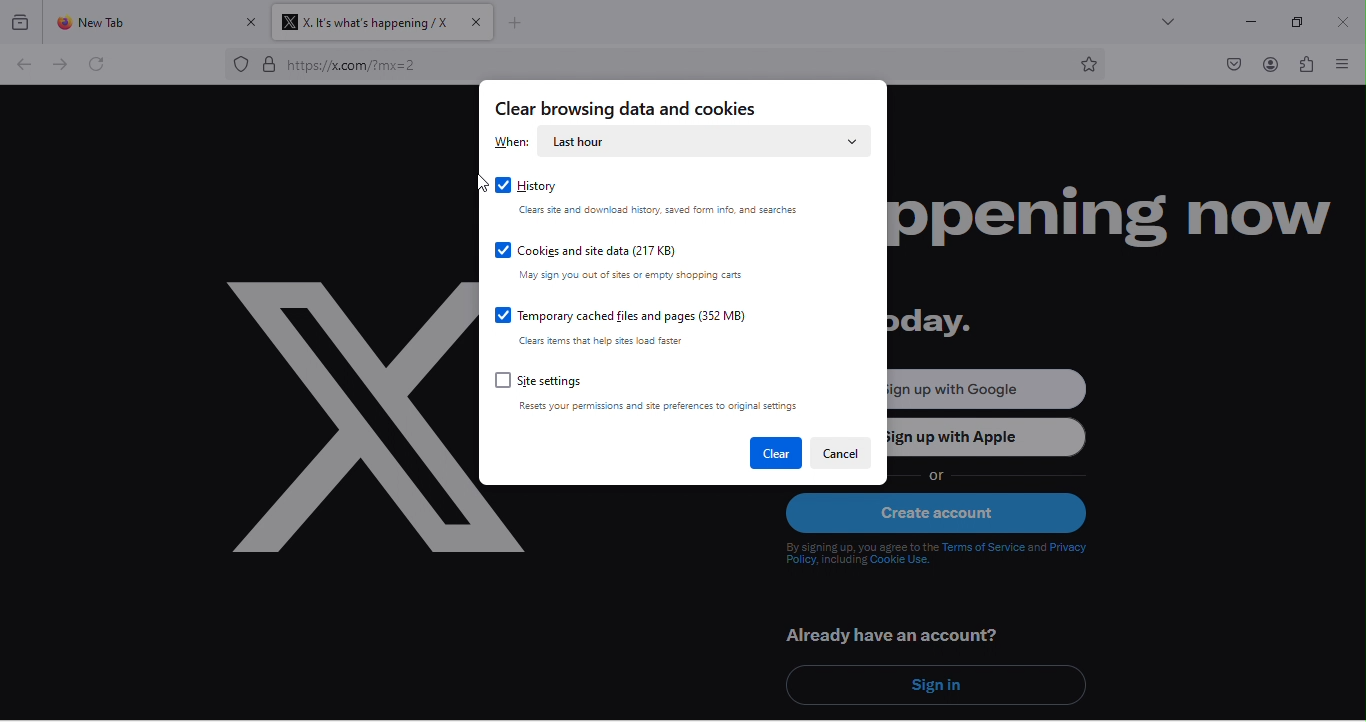  I want to click on pocket, so click(1226, 62).